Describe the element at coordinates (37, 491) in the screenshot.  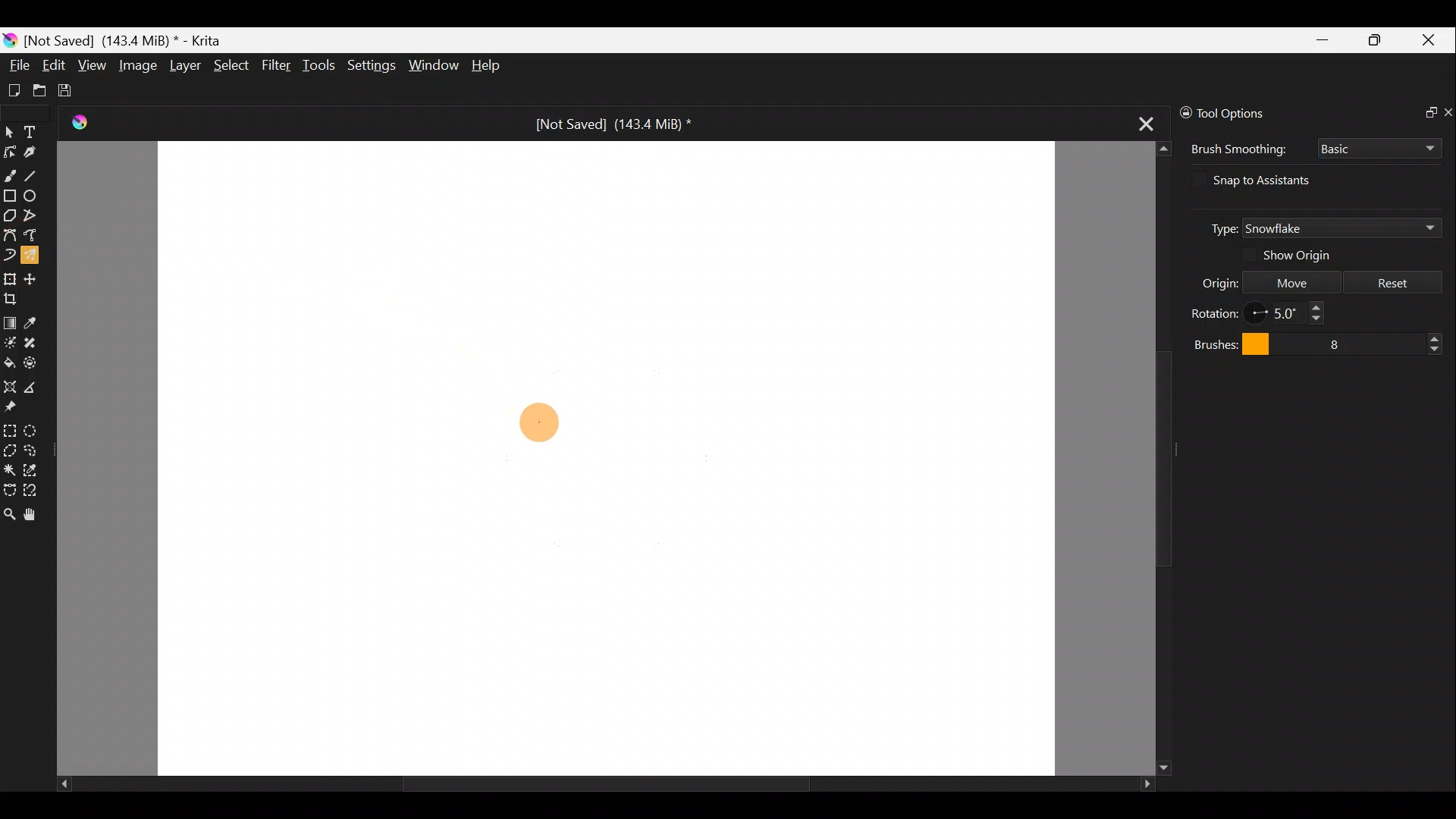
I see `Magnetic curve selection tool` at that location.